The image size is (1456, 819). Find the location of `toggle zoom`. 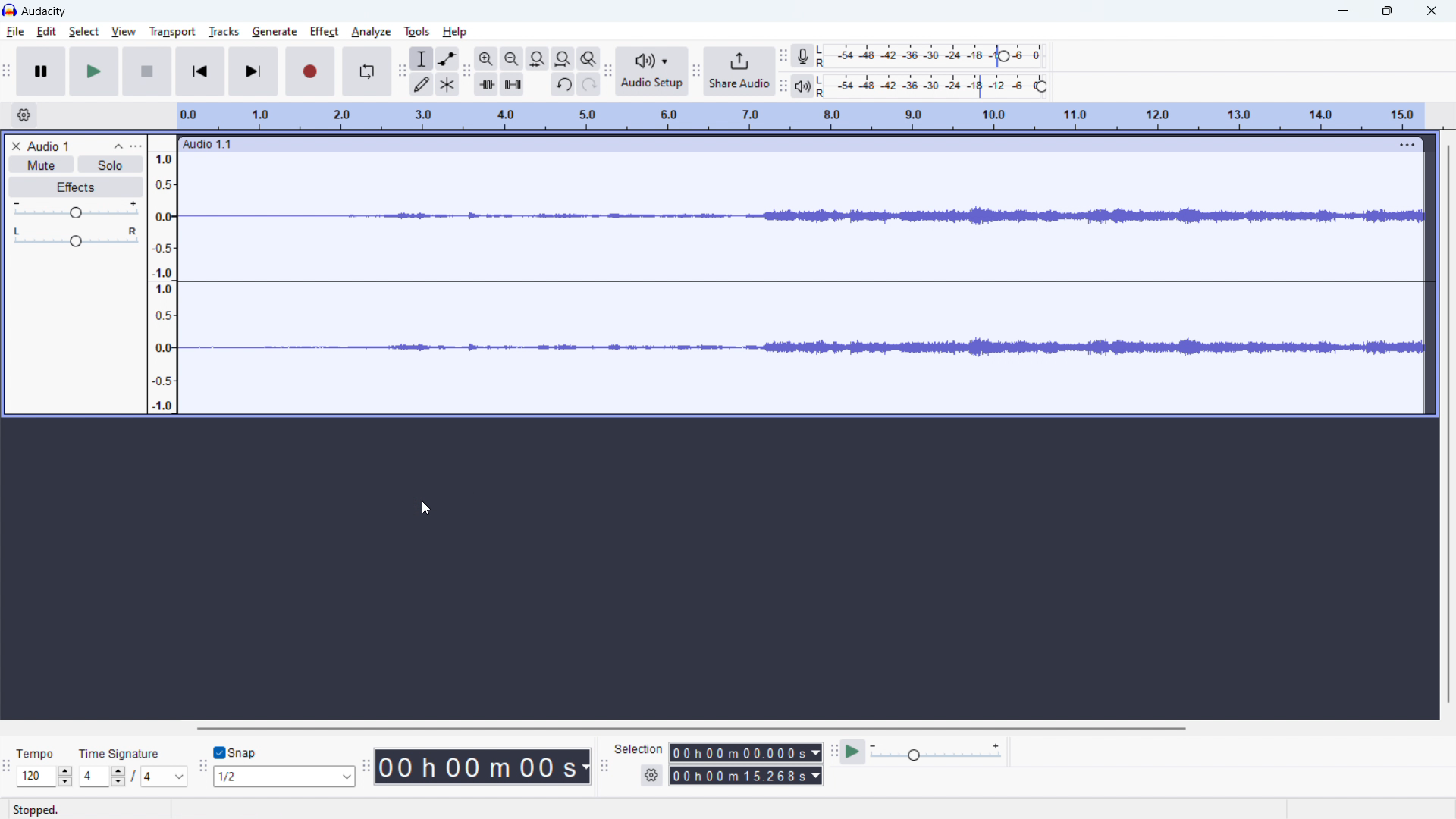

toggle zoom is located at coordinates (589, 58).